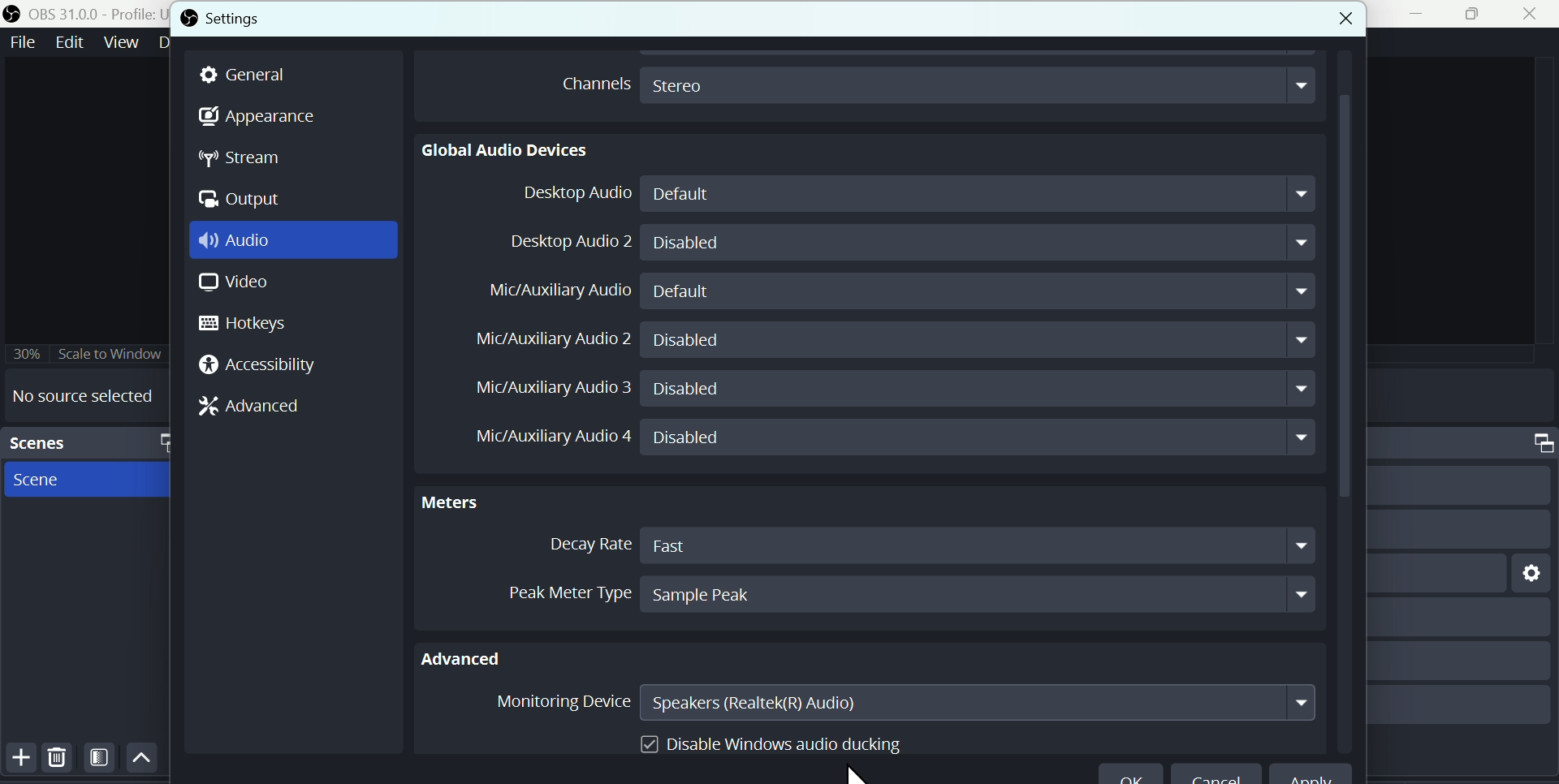  What do you see at coordinates (262, 366) in the screenshot?
I see `Accessibility` at bounding box center [262, 366].